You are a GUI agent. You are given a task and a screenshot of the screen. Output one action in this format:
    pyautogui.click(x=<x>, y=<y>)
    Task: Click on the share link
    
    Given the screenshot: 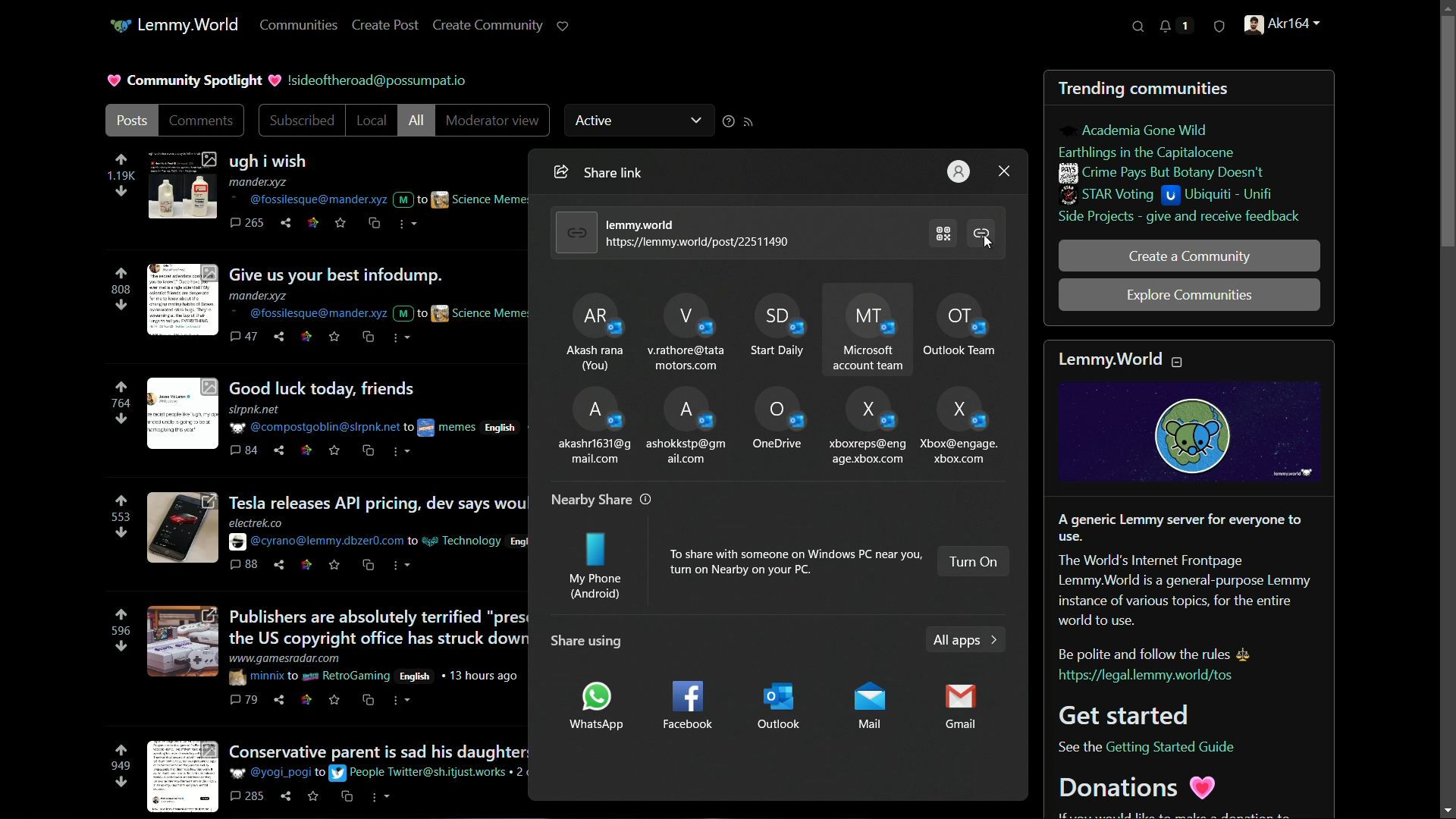 What is the action you would take?
    pyautogui.click(x=559, y=172)
    